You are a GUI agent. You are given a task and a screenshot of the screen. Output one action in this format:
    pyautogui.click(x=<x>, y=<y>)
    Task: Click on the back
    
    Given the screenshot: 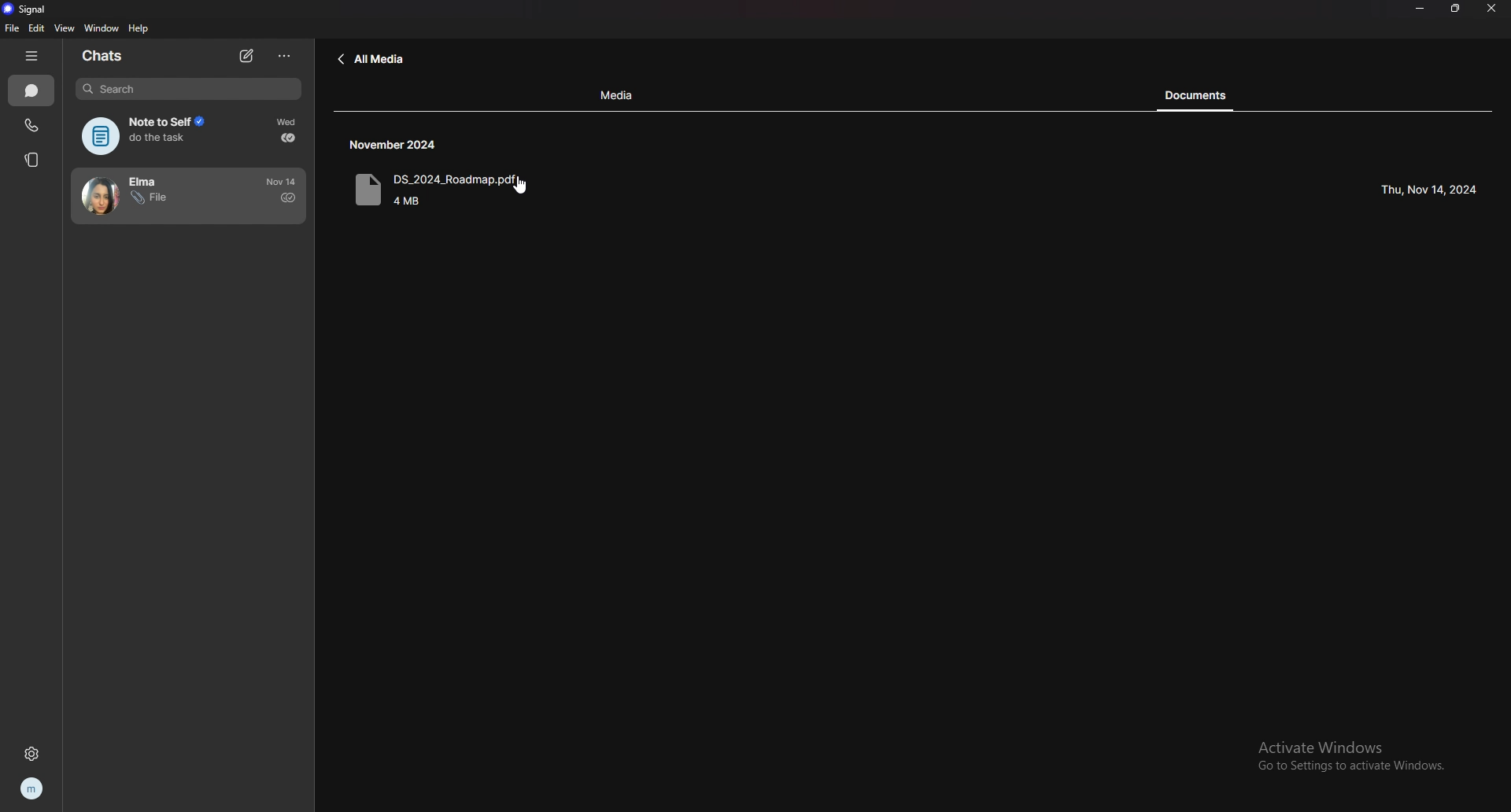 What is the action you would take?
    pyautogui.click(x=371, y=60)
    